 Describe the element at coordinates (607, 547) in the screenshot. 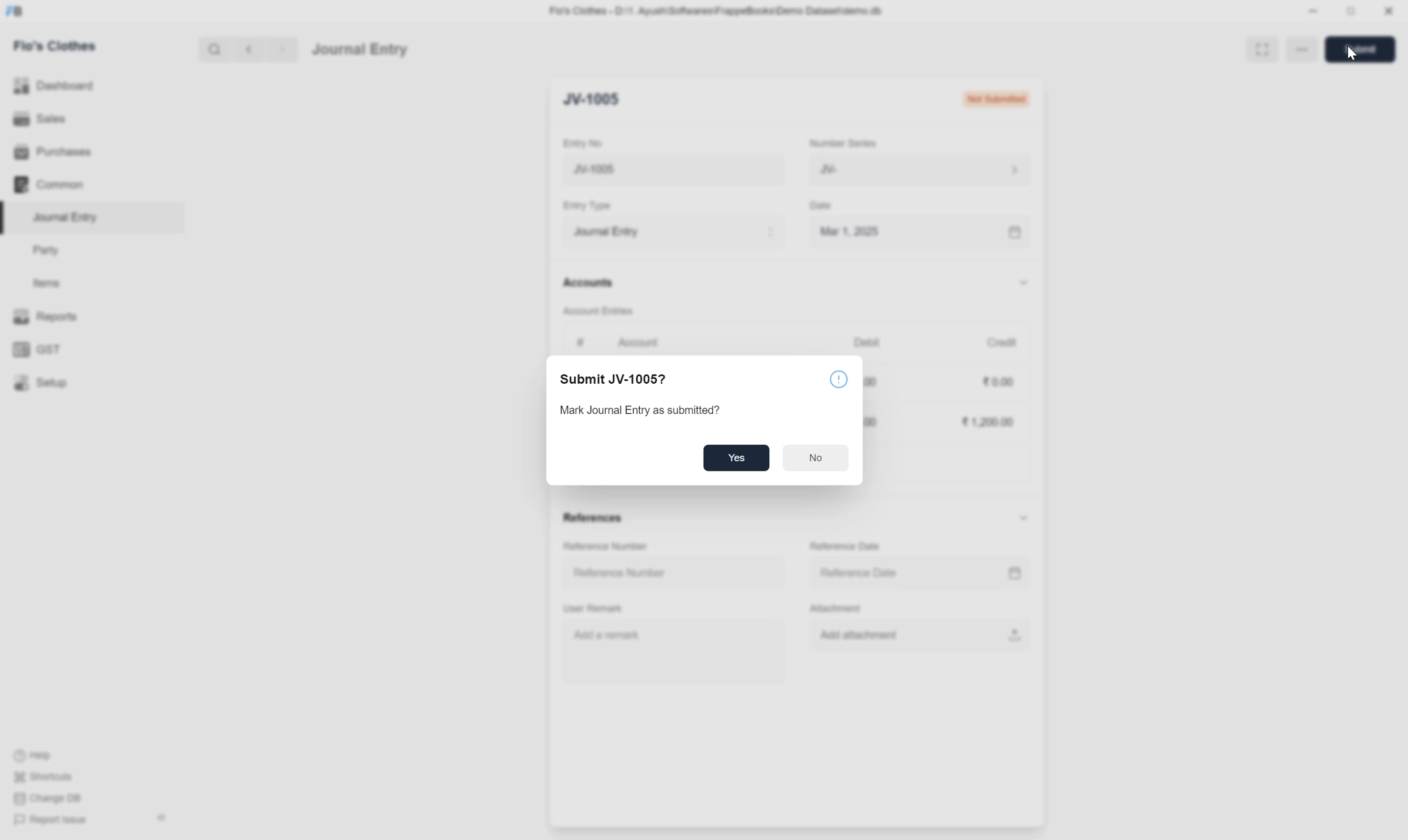

I see `Reference Number` at that location.